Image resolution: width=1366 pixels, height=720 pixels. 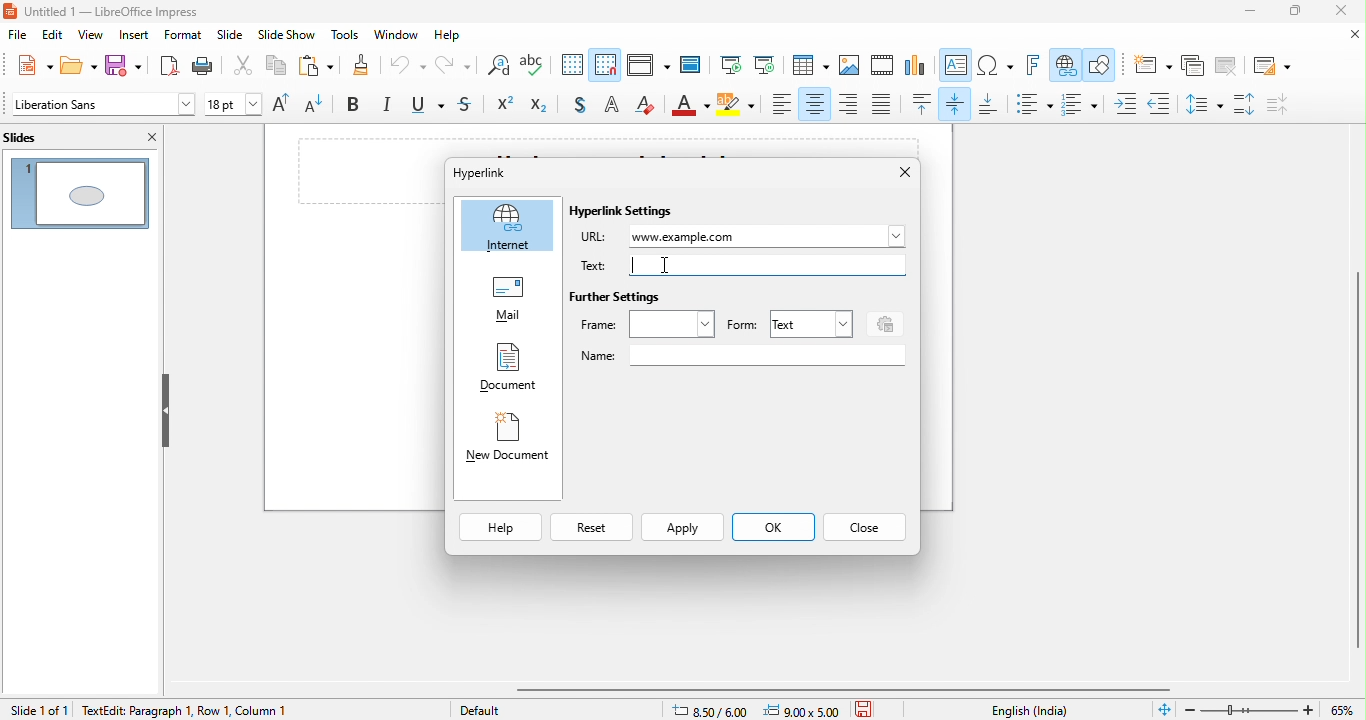 What do you see at coordinates (507, 370) in the screenshot?
I see `document` at bounding box center [507, 370].